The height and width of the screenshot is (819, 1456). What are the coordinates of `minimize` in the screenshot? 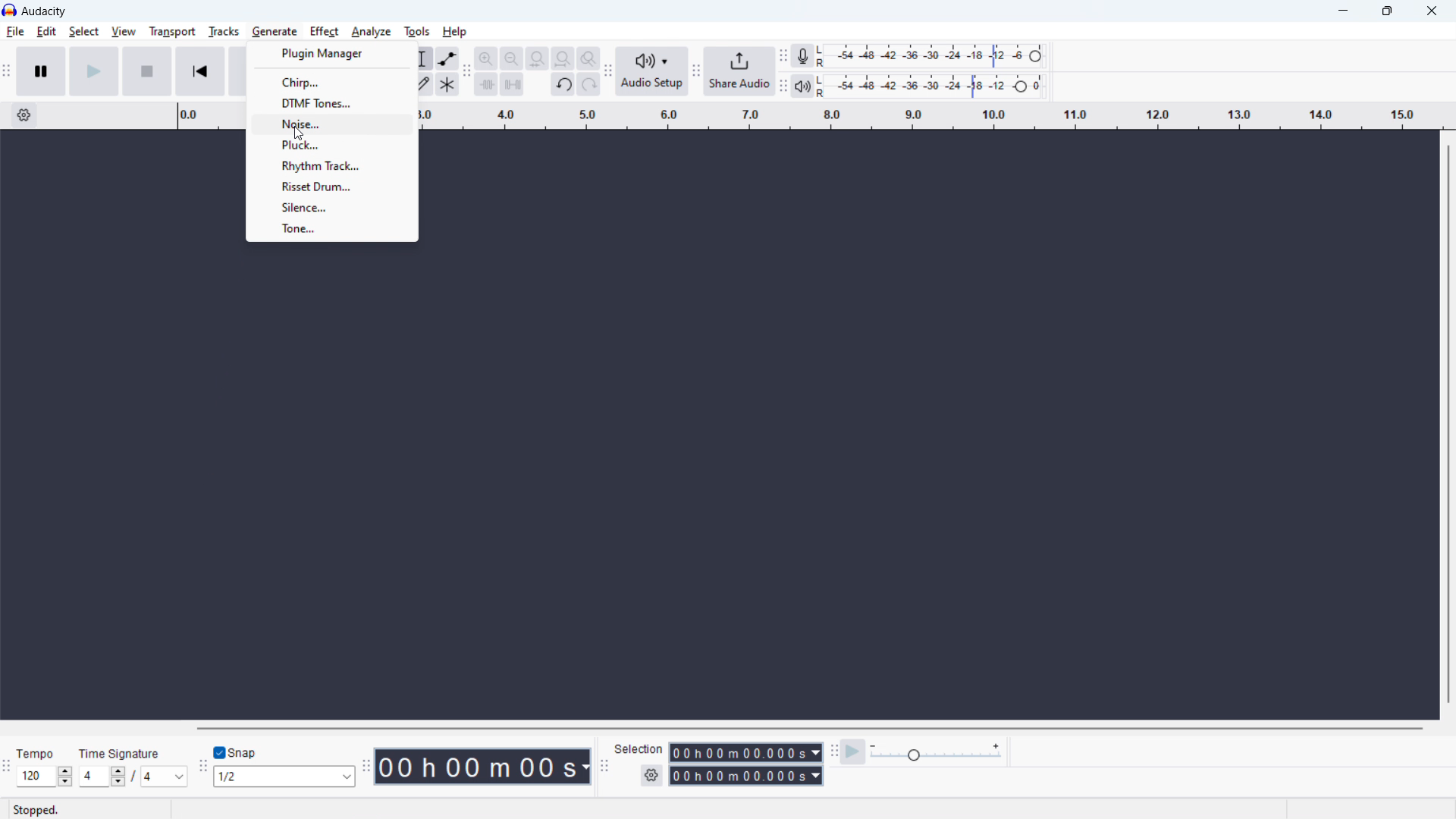 It's located at (1342, 11).